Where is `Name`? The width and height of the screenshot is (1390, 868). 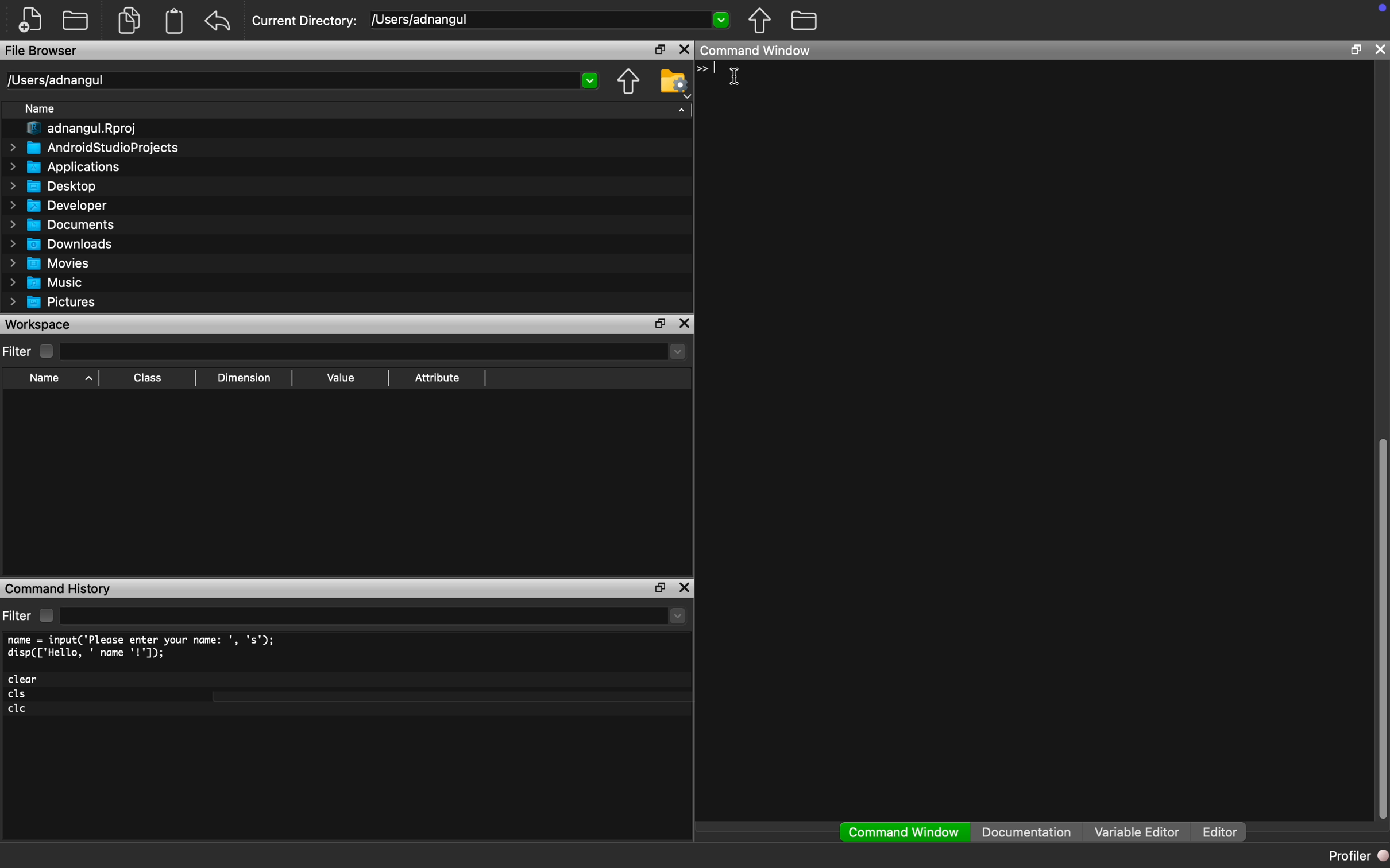 Name is located at coordinates (41, 108).